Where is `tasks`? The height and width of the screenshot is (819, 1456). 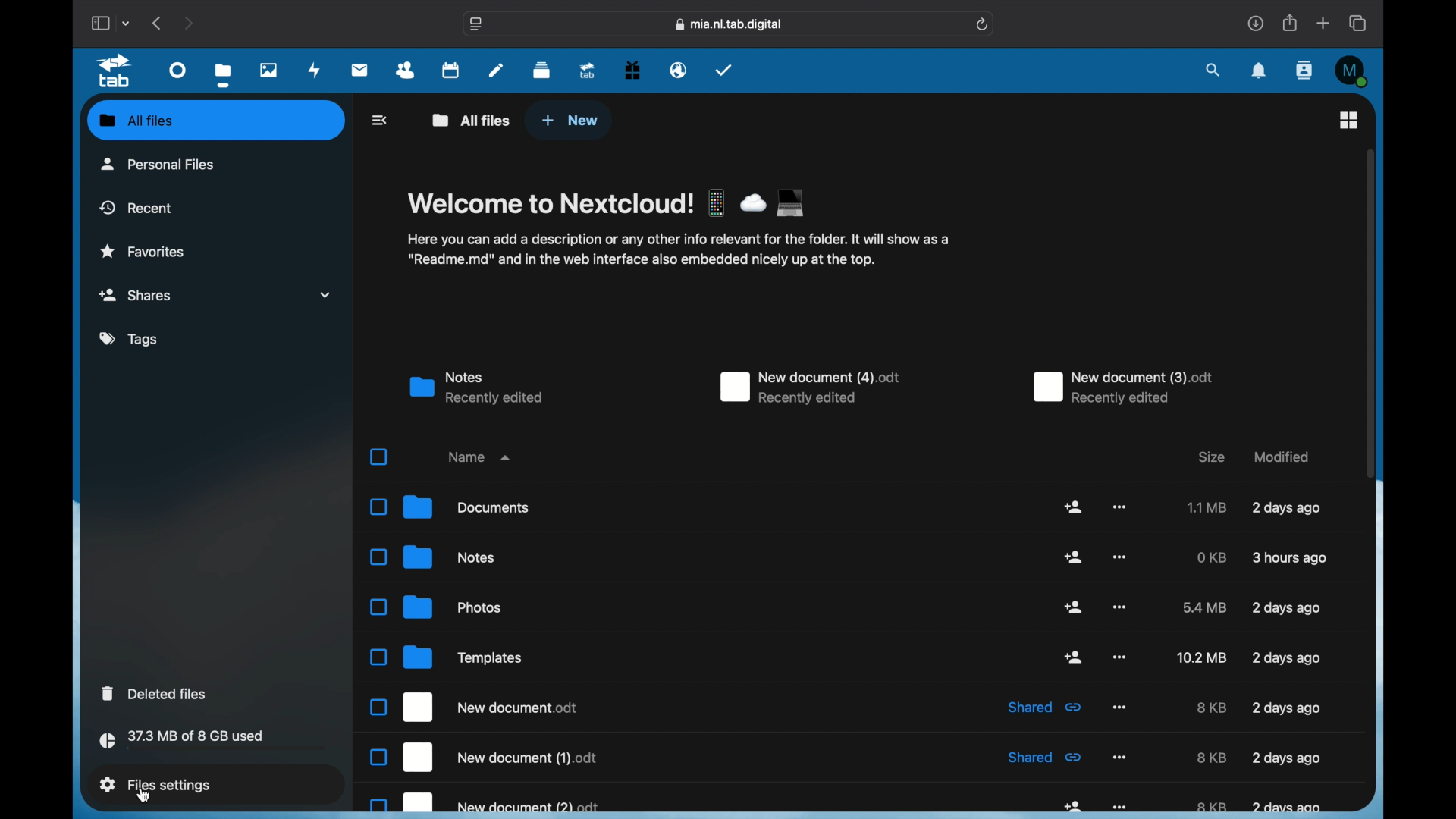
tasks is located at coordinates (723, 70).